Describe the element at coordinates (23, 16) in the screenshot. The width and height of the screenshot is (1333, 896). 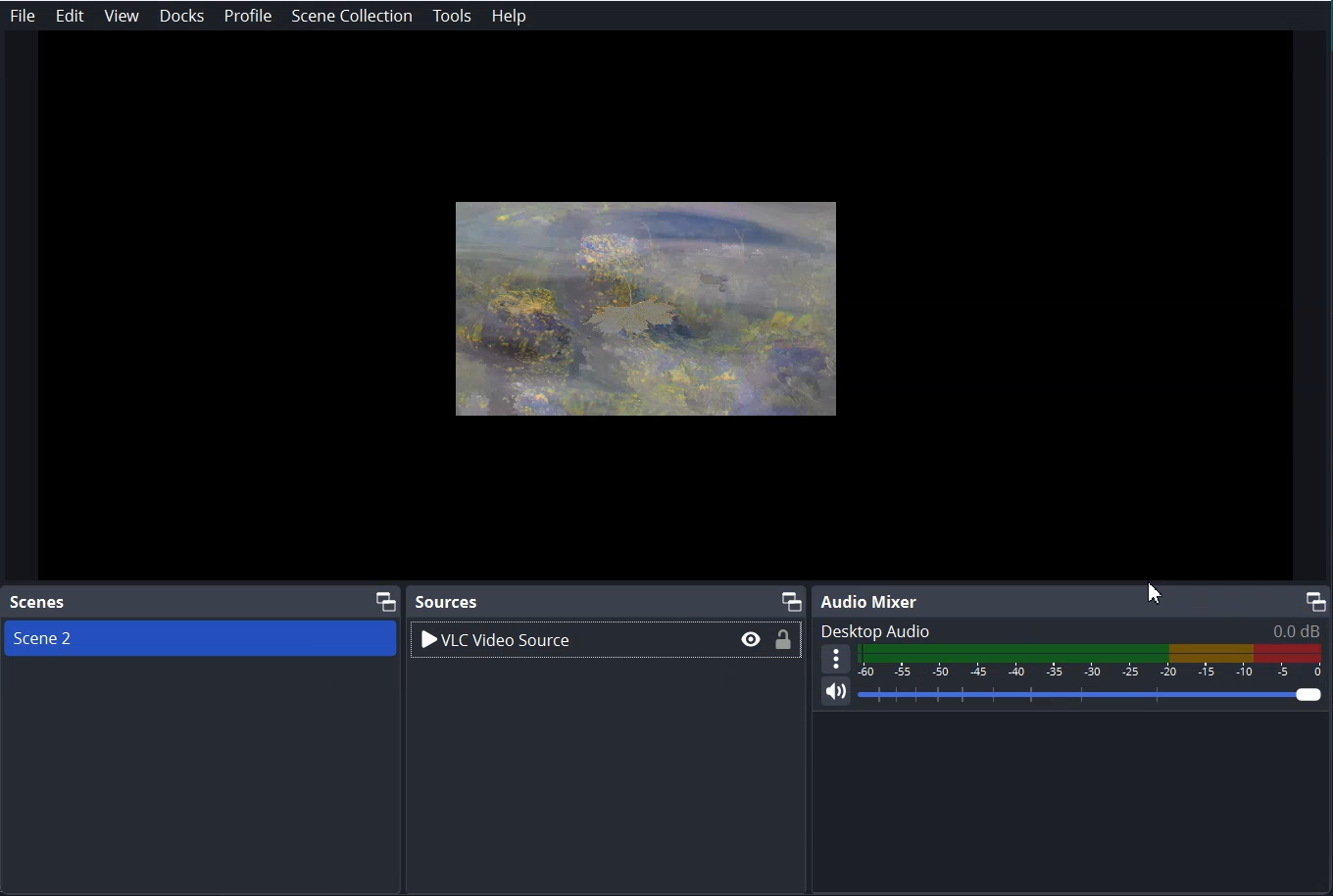
I see `File` at that location.